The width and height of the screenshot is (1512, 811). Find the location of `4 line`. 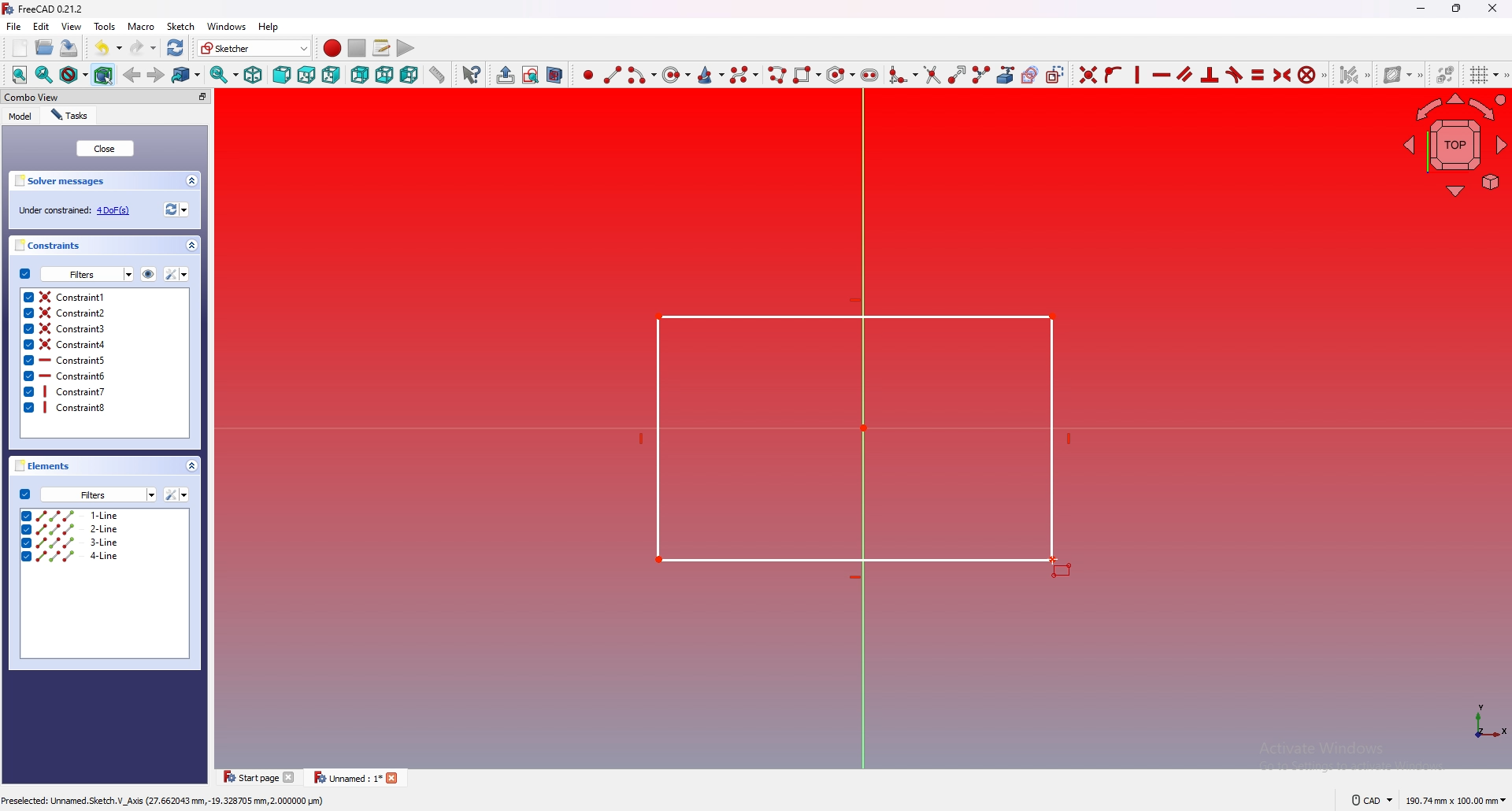

4 line is located at coordinates (104, 557).